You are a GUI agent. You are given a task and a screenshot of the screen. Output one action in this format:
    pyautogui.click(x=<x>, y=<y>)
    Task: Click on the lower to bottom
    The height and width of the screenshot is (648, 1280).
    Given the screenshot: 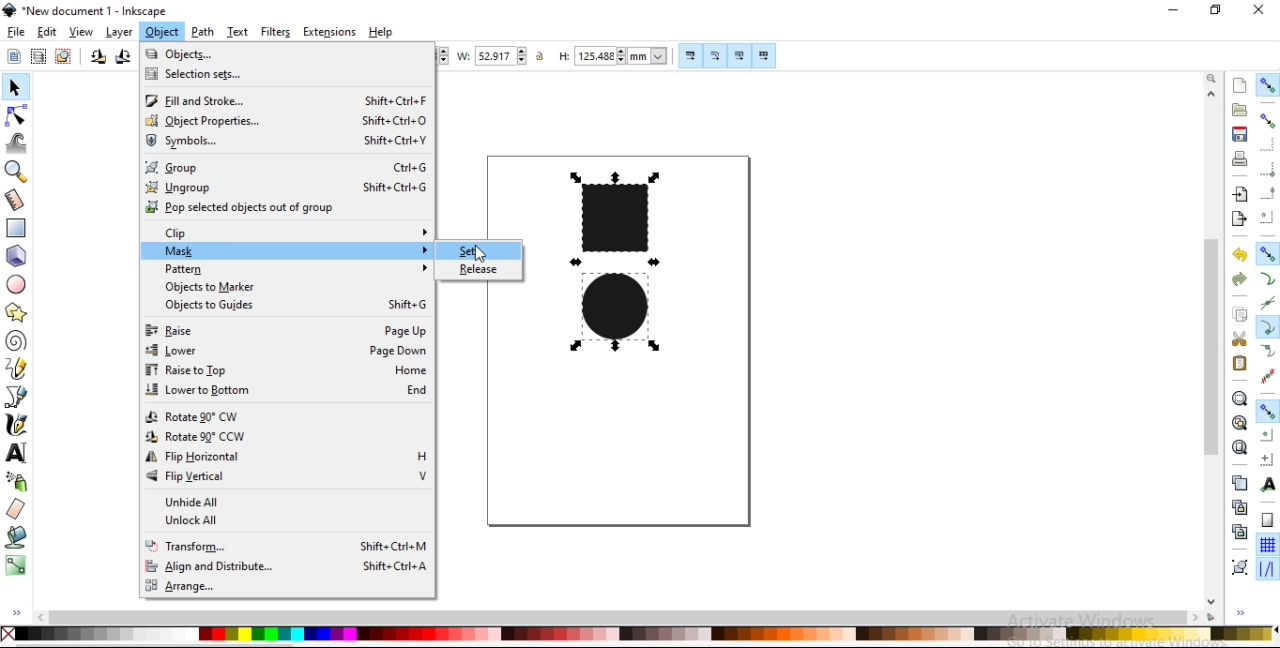 What is the action you would take?
    pyautogui.click(x=286, y=391)
    